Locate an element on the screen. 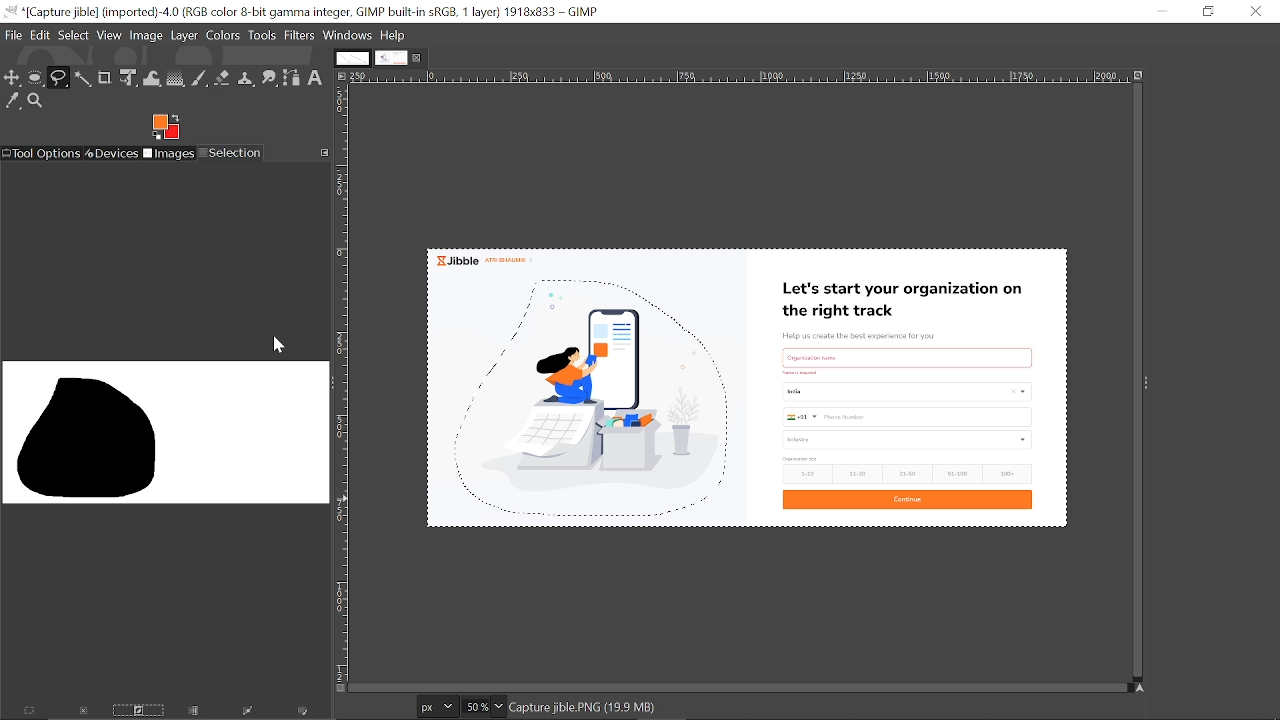 The width and height of the screenshot is (1280, 720). Impression of the inverted area is located at coordinates (165, 430).